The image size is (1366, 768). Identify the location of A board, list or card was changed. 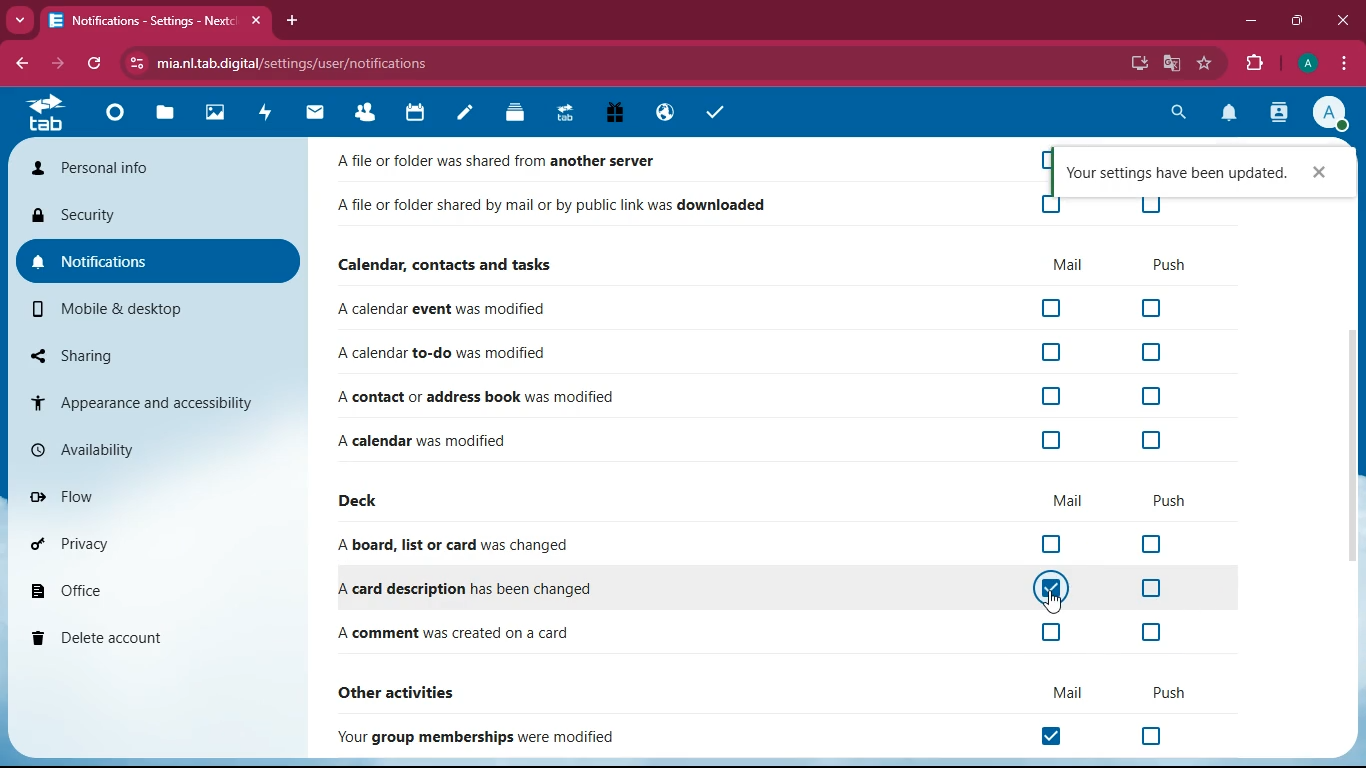
(460, 546).